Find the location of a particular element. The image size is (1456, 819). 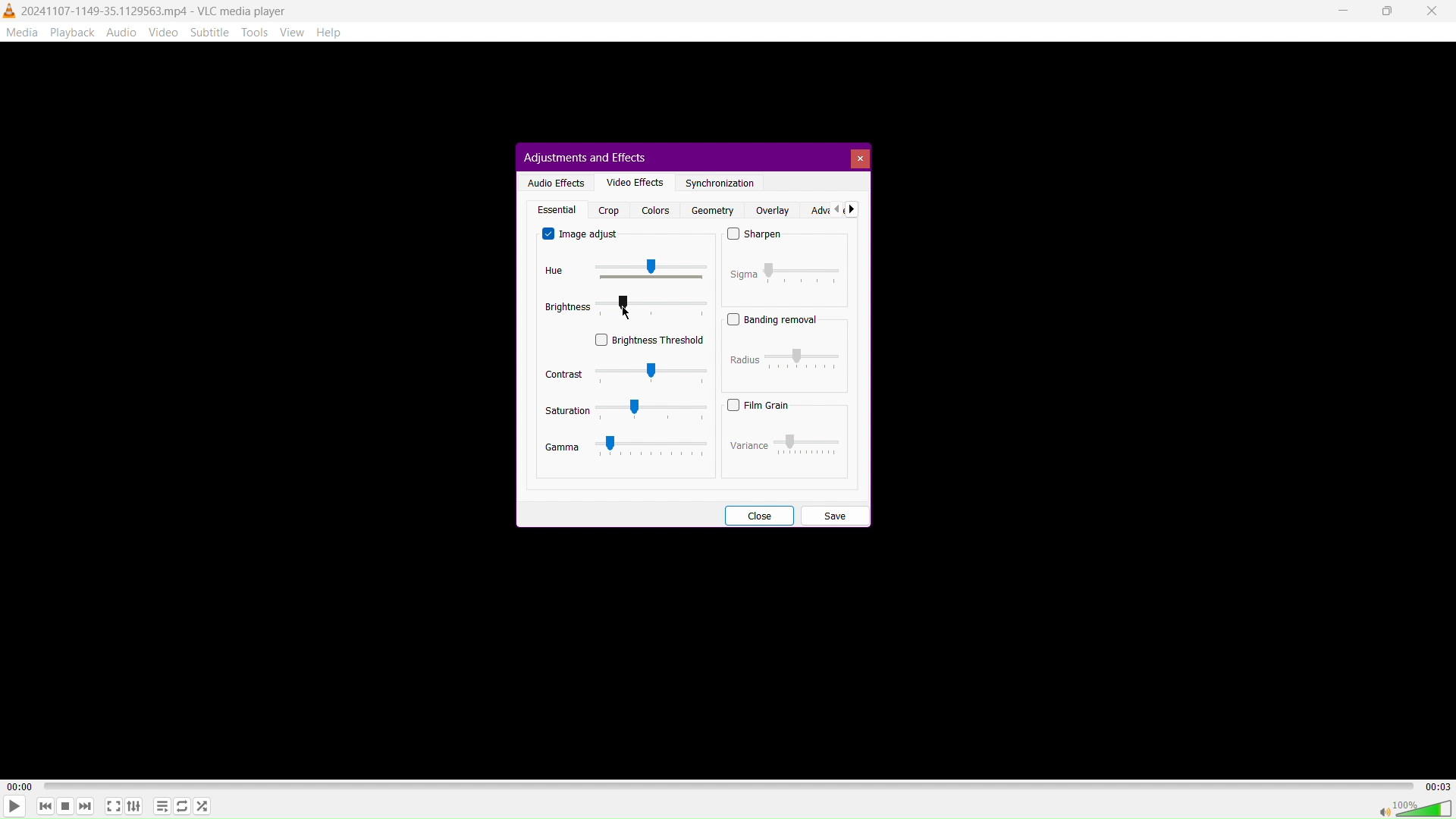

Volume 100% is located at coordinates (1414, 808).